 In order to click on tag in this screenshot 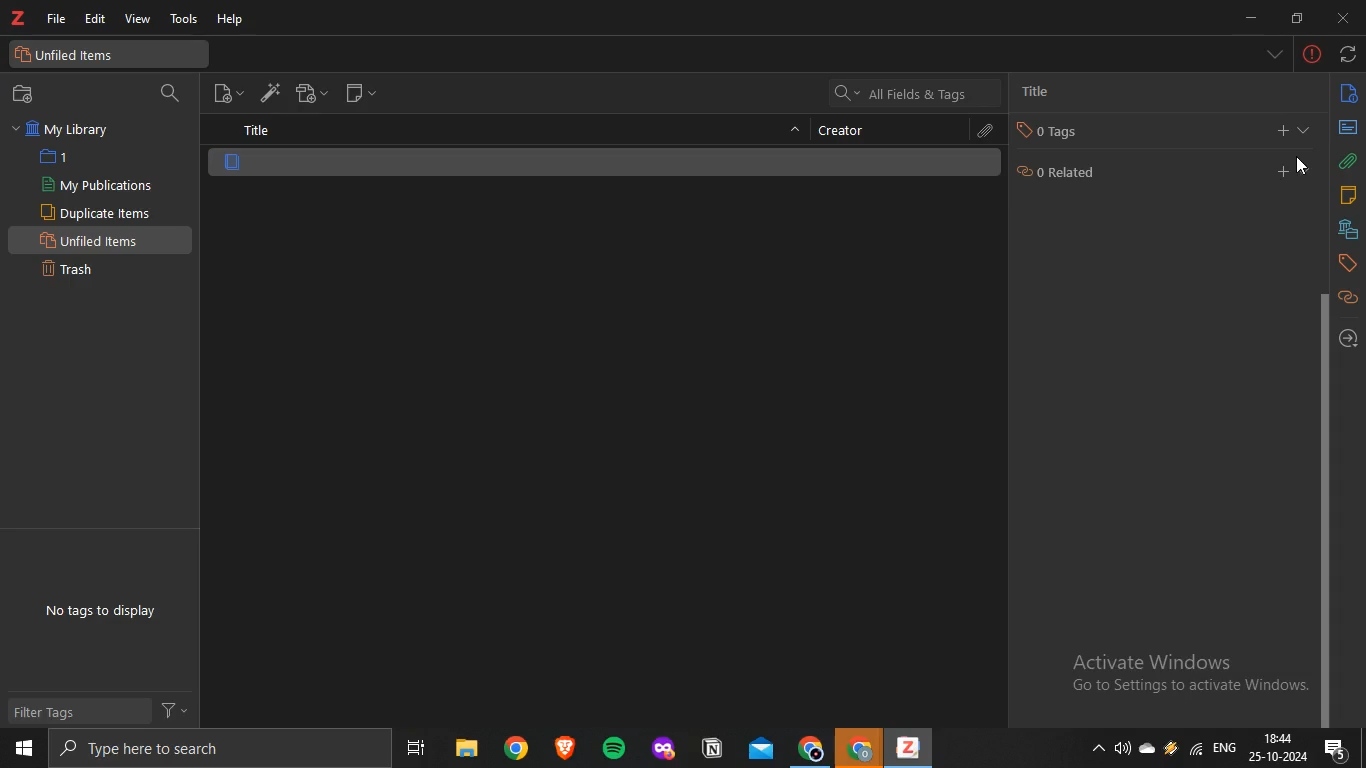, I will do `click(1049, 129)`.